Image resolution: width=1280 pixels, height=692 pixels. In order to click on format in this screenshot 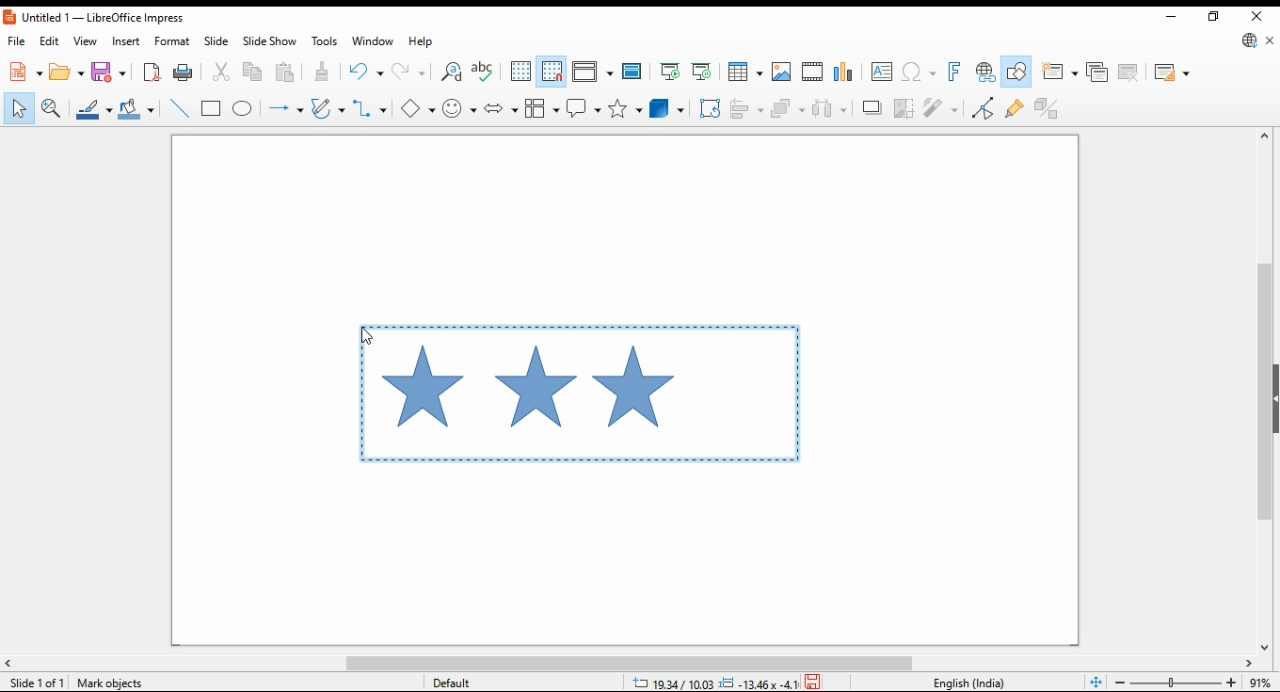, I will do `click(174, 40)`.